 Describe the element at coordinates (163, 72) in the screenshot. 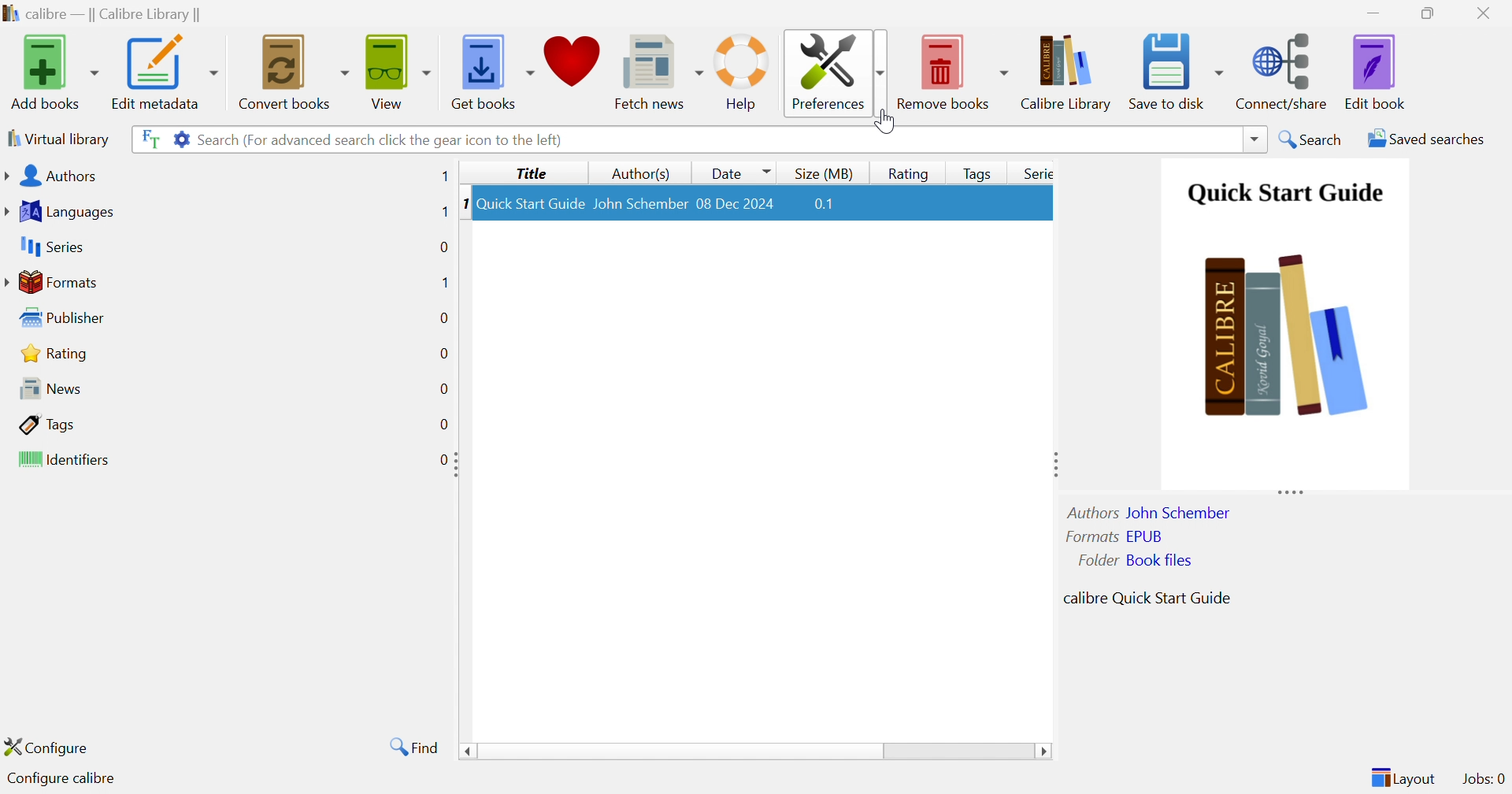

I see `Edit metadata` at that location.